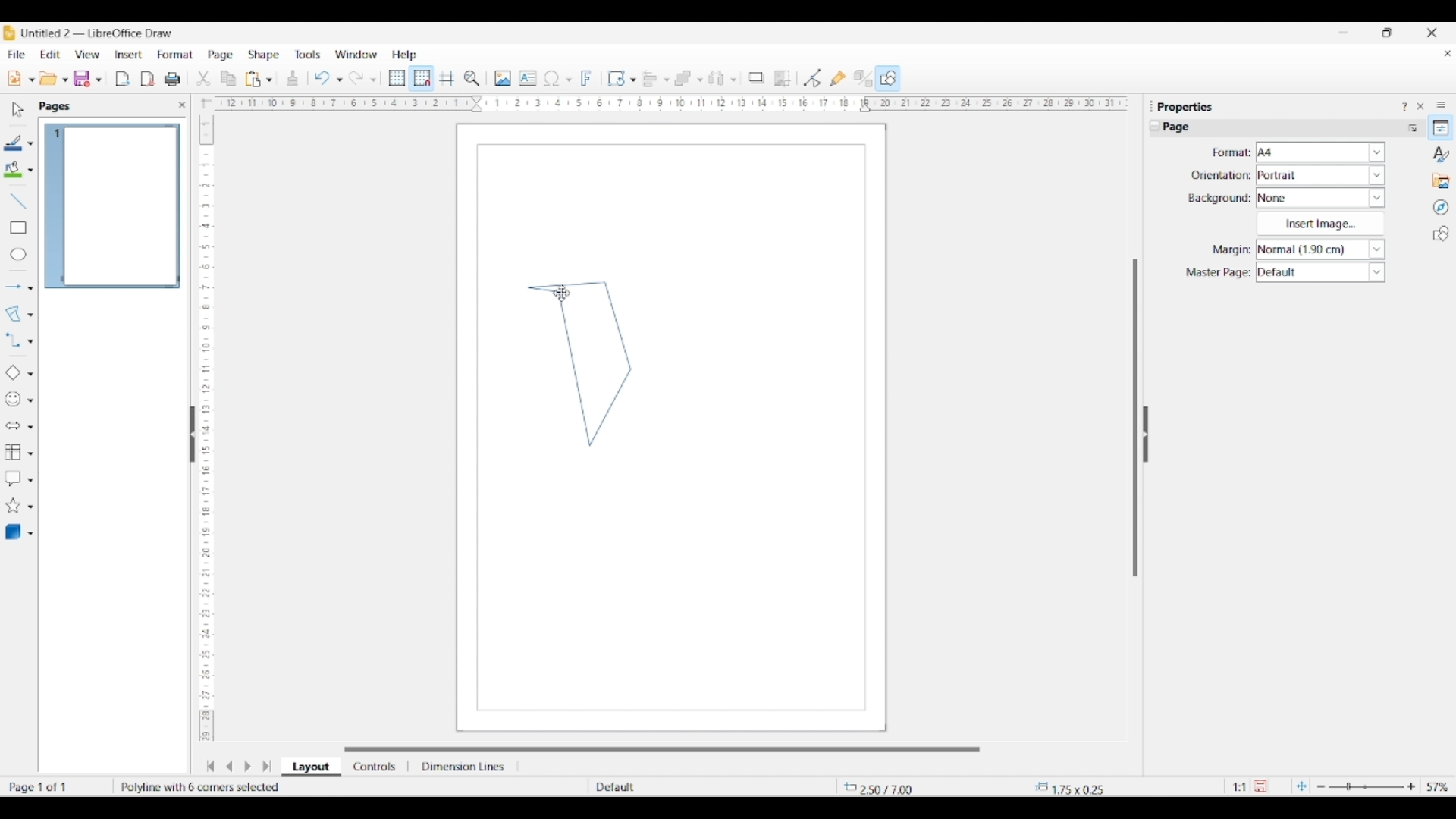 The image size is (1456, 819). Describe the element at coordinates (566, 285) in the screenshot. I see `Line 4` at that location.